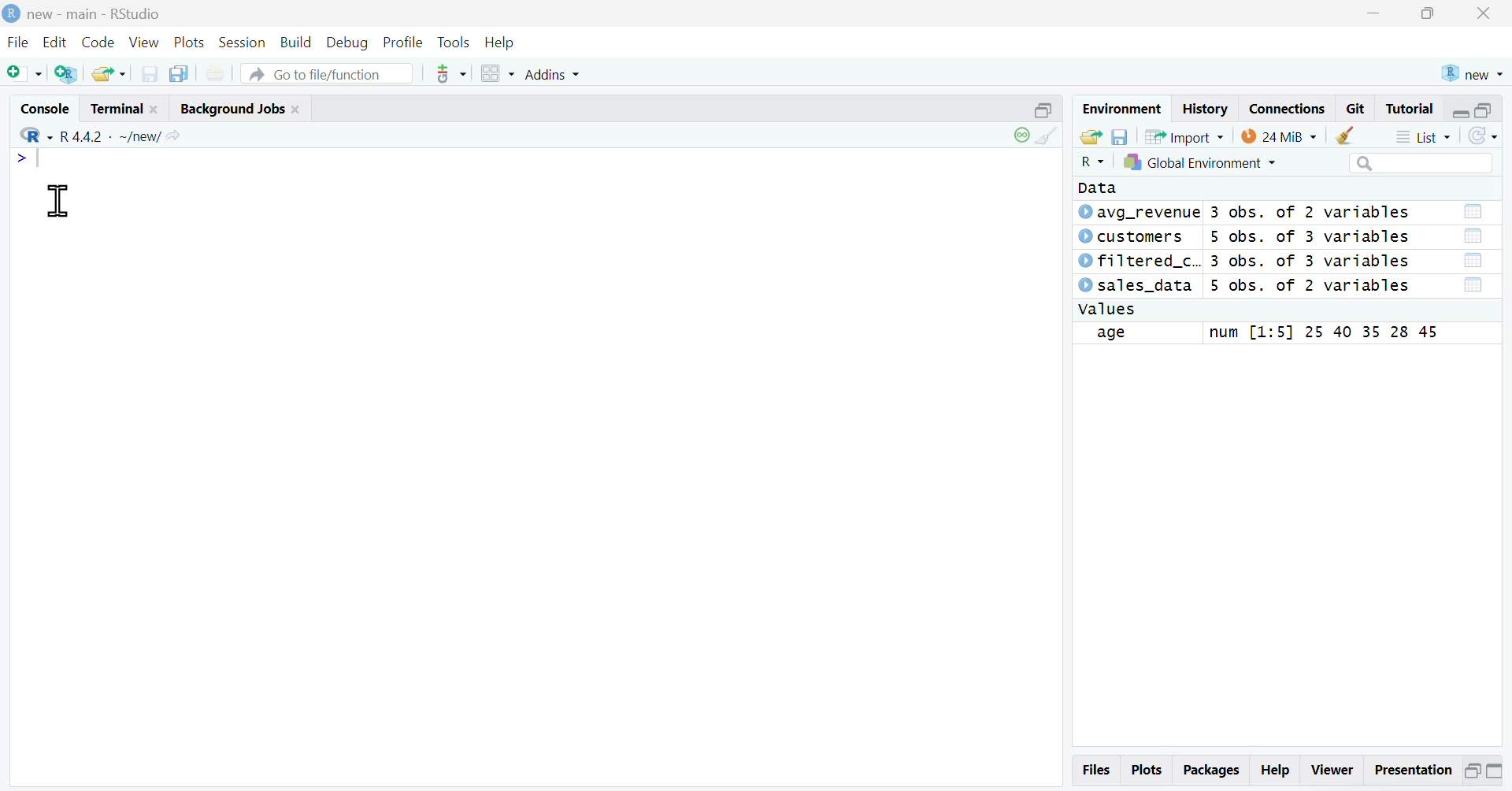 The width and height of the screenshot is (1512, 791). What do you see at coordinates (535, 396) in the screenshot?
I see `Console pane` at bounding box center [535, 396].